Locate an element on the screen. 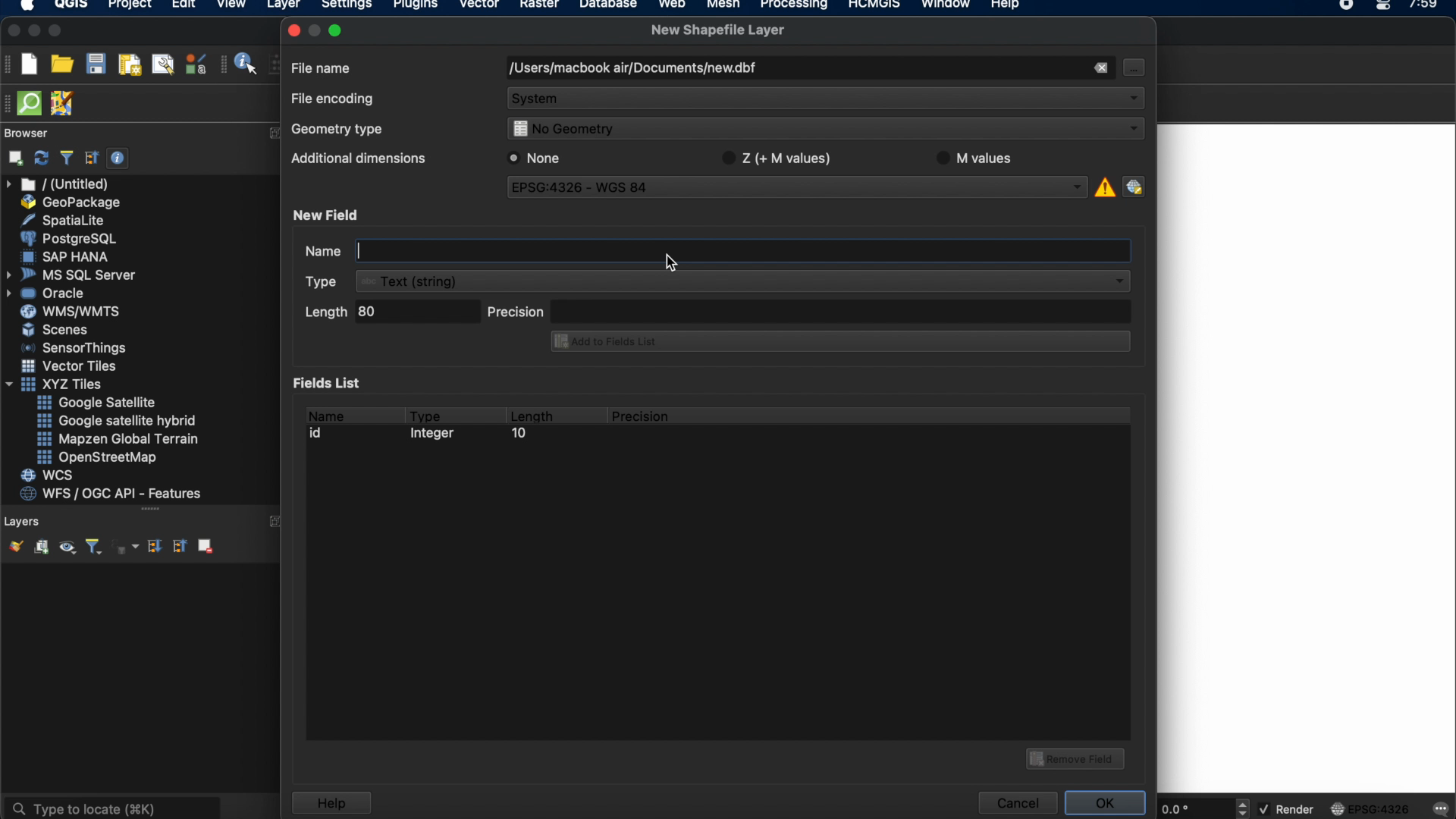 This screenshot has width=1456, height=819. toggle buttons is located at coordinates (1244, 808).